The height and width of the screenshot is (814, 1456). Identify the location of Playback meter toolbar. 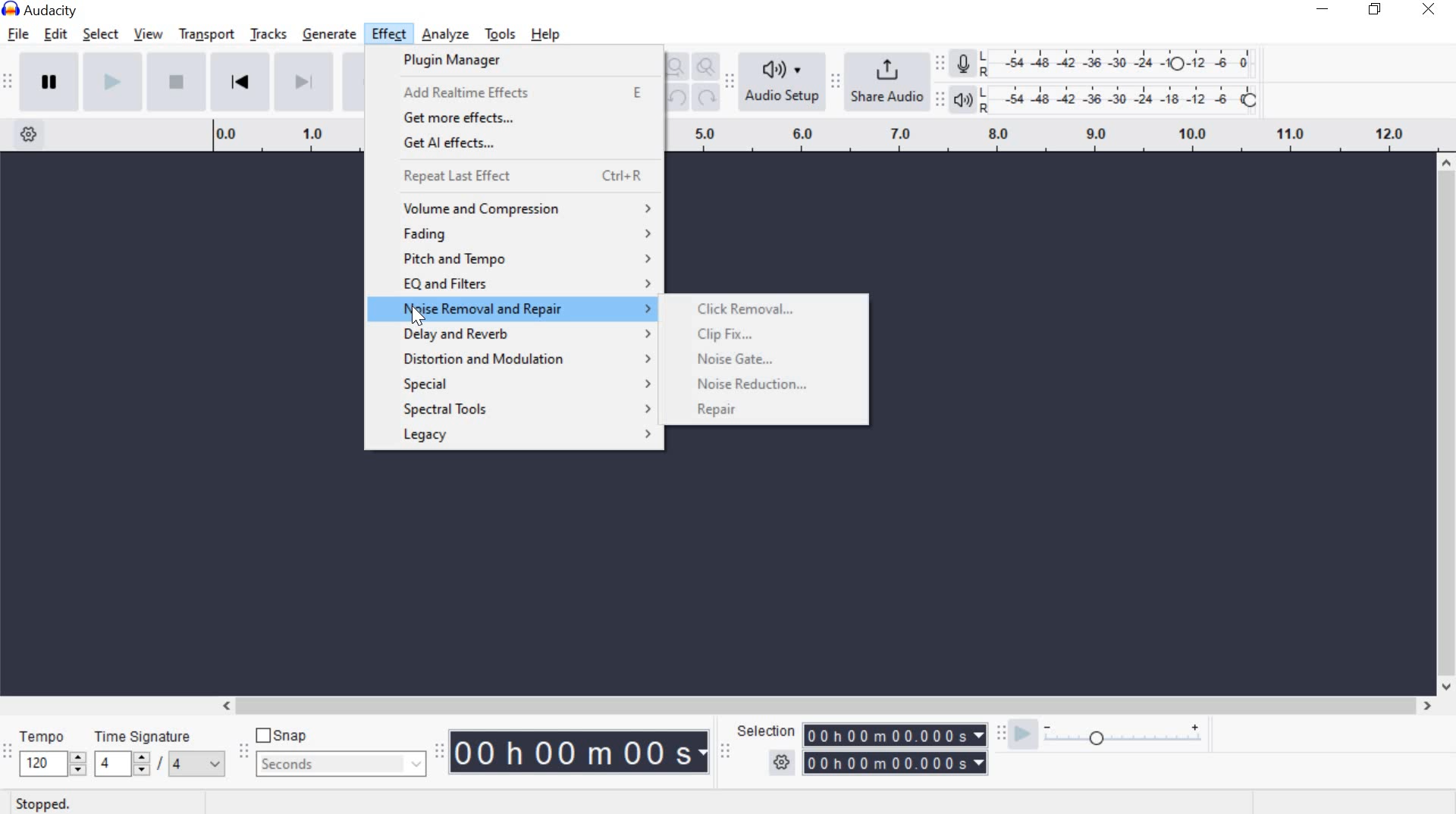
(937, 98).